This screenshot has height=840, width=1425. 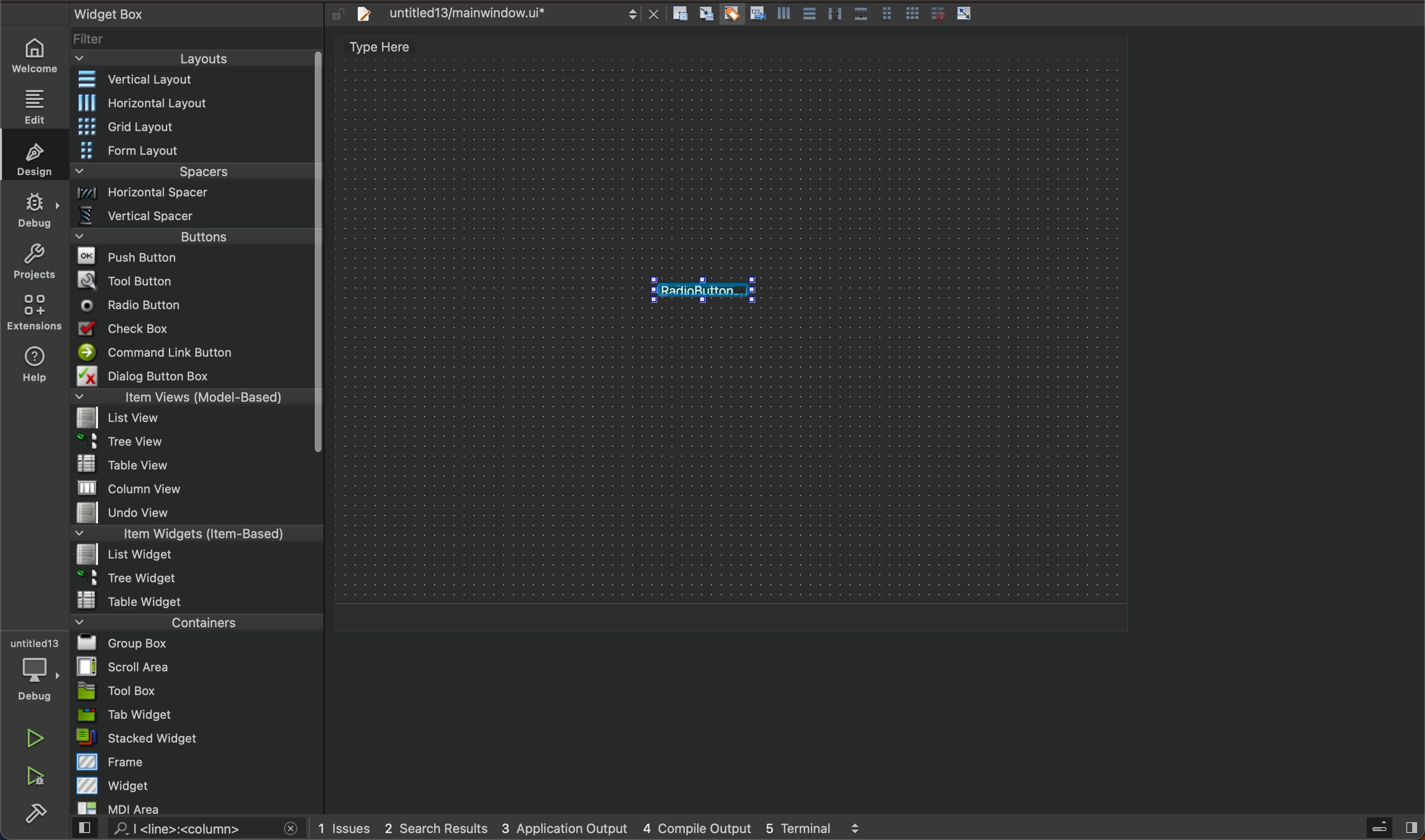 What do you see at coordinates (197, 666) in the screenshot?
I see `scroll area` at bounding box center [197, 666].